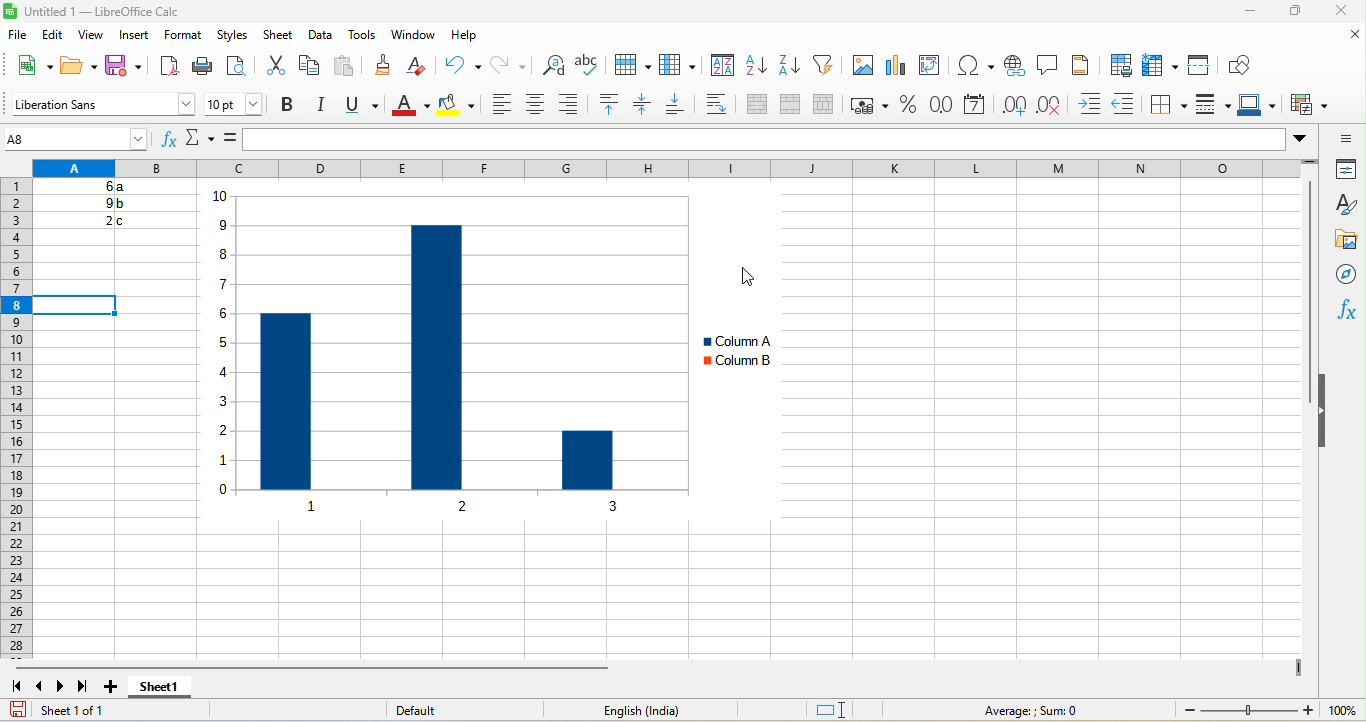  Describe the element at coordinates (18, 35) in the screenshot. I see `file` at that location.